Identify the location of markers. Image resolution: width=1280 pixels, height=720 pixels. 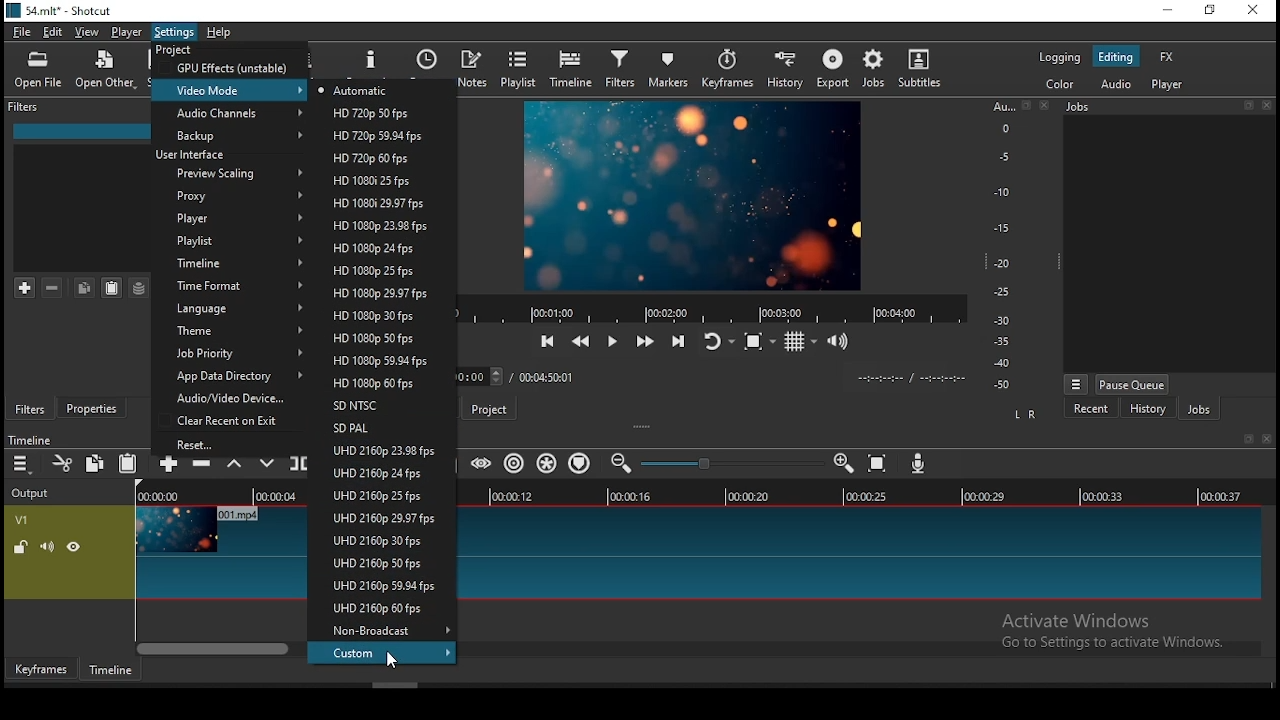
(668, 68).